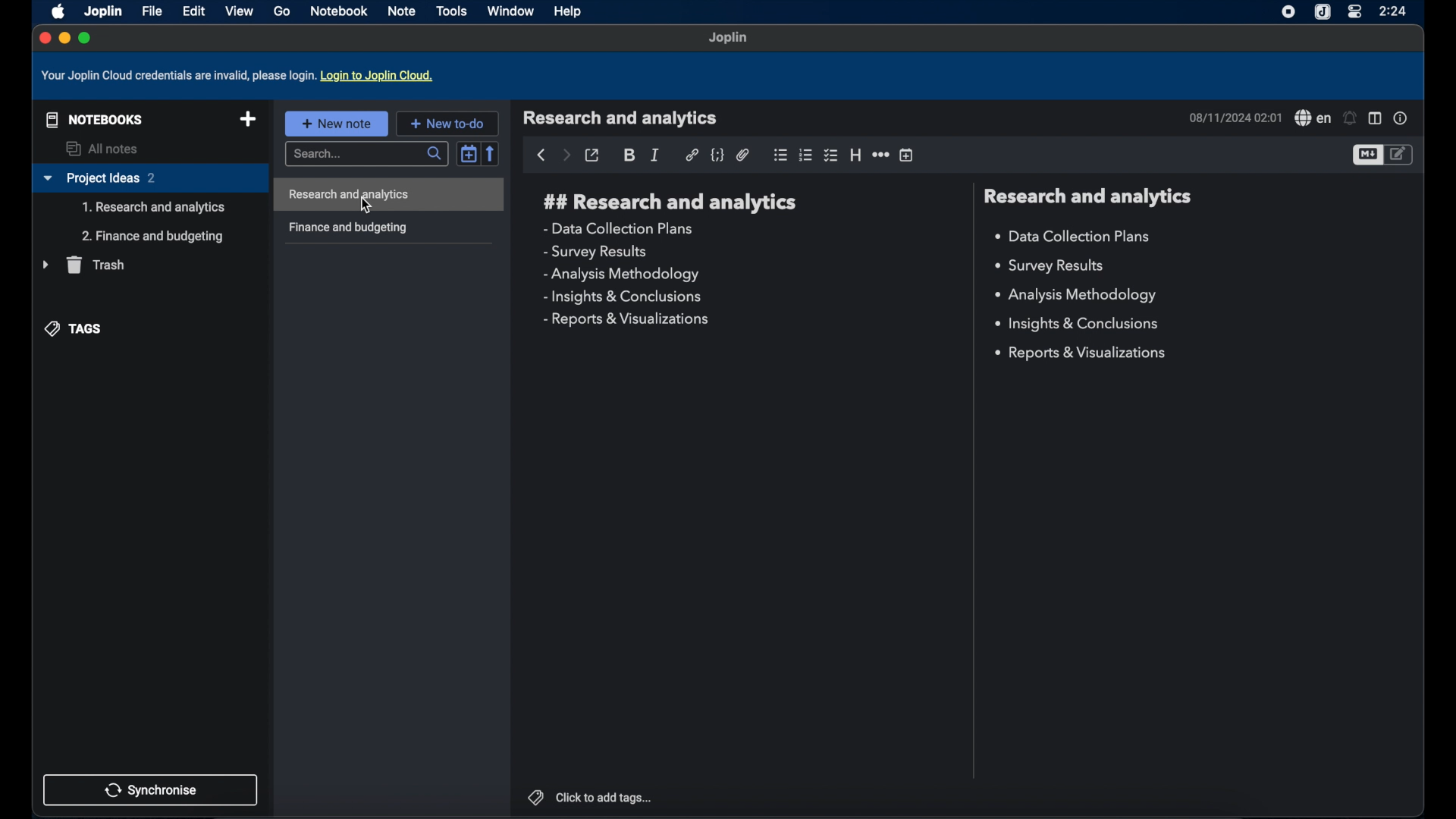  What do you see at coordinates (630, 155) in the screenshot?
I see `bold` at bounding box center [630, 155].